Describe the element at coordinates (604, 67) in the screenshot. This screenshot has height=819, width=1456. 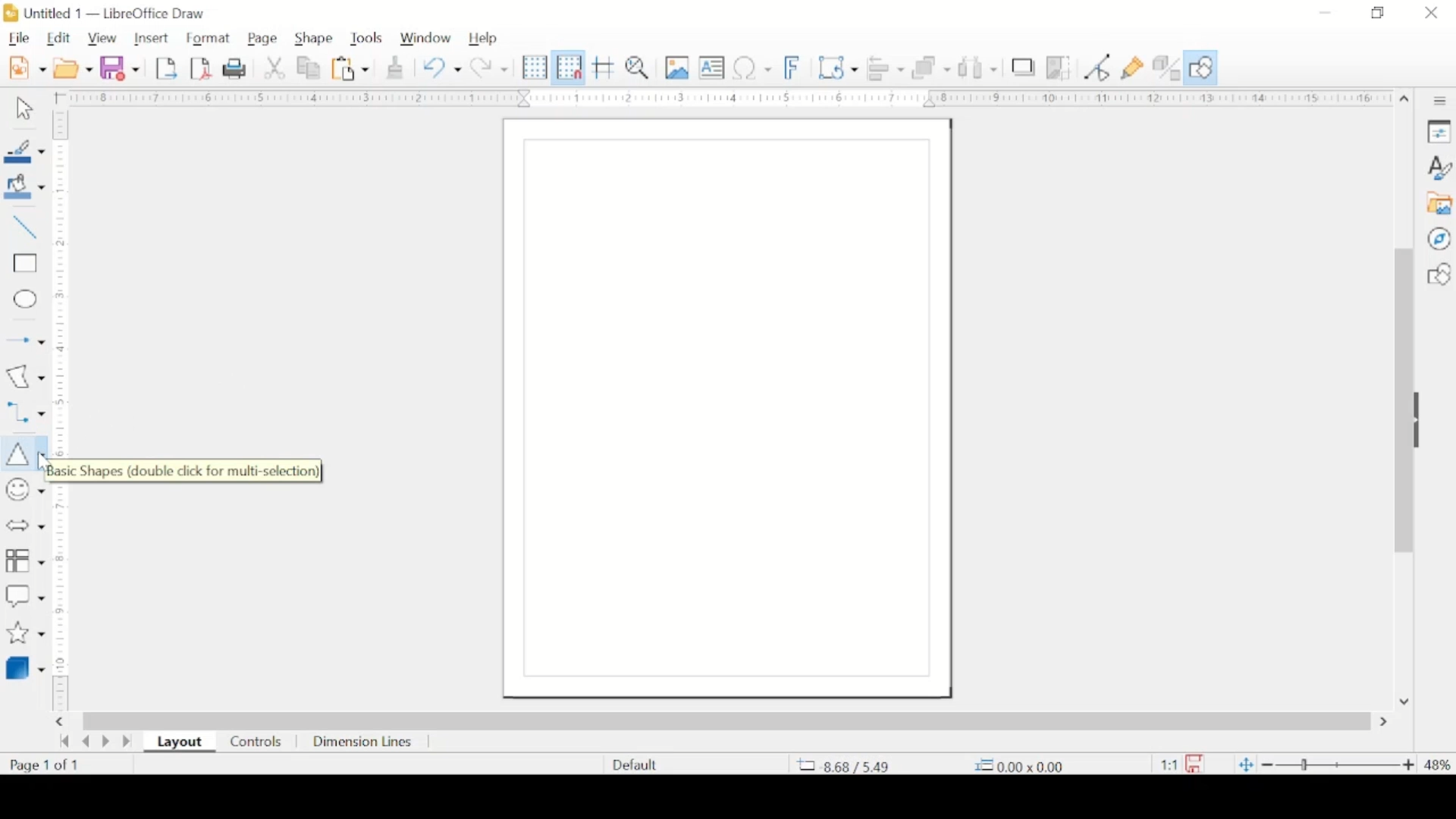
I see `helplines while moving` at that location.